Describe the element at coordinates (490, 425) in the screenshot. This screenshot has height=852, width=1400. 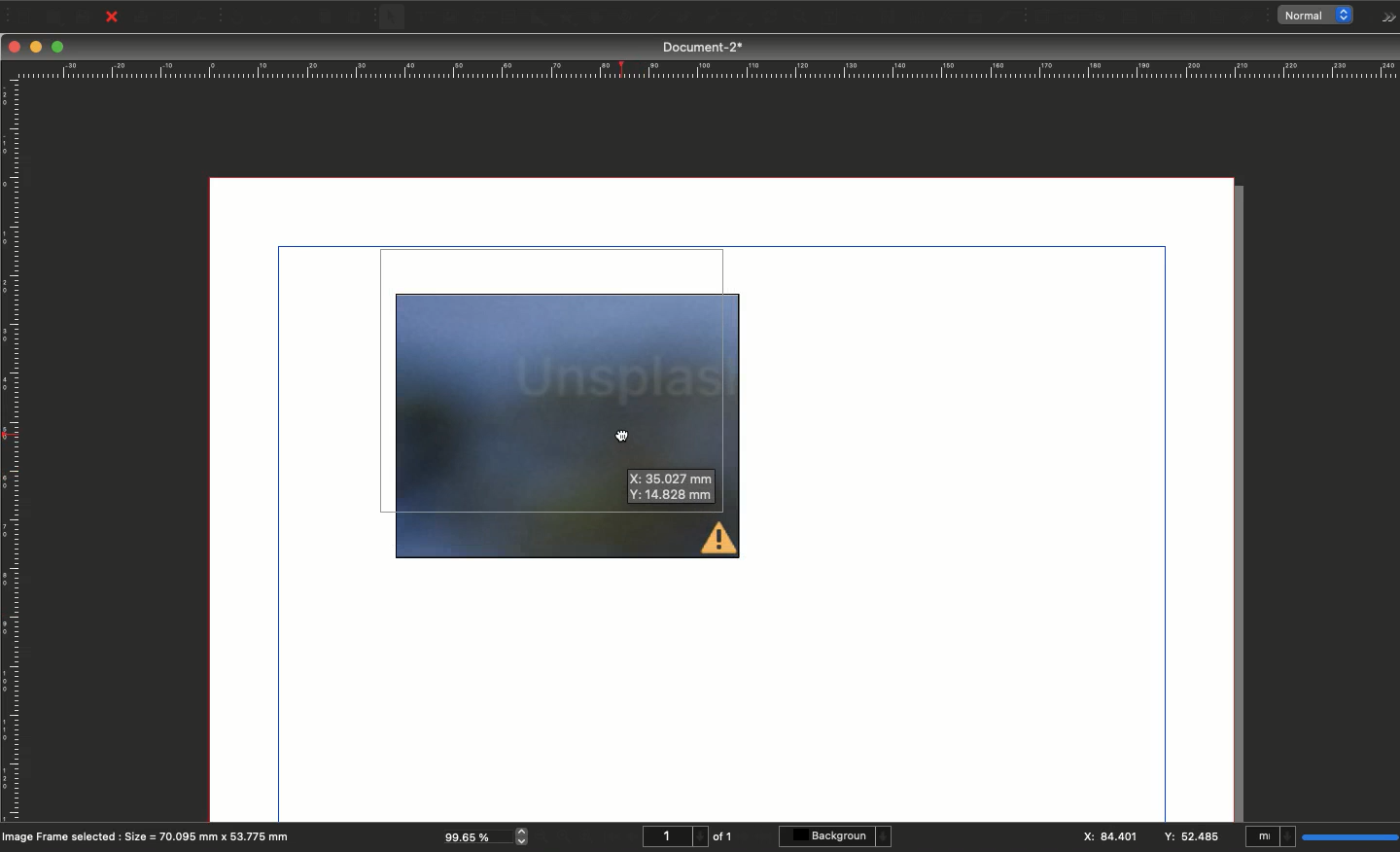
I see `image` at that location.